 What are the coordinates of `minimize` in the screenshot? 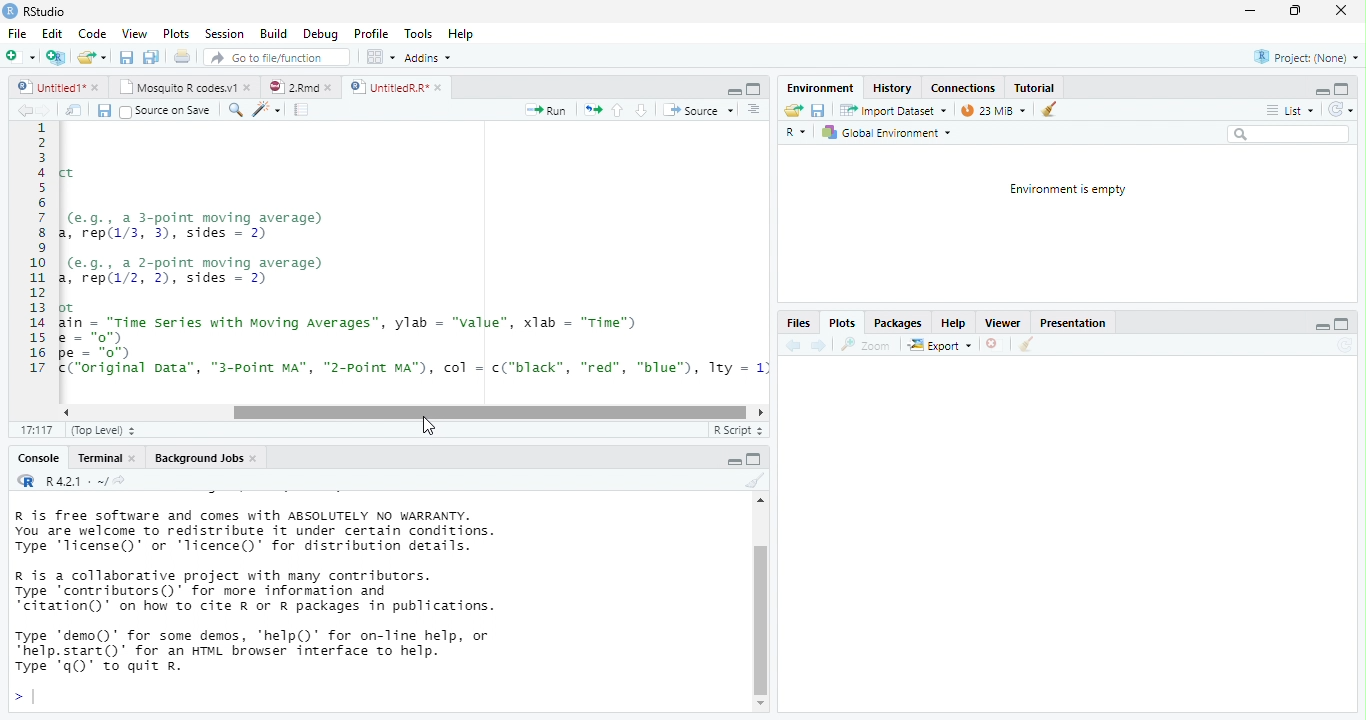 It's located at (754, 458).